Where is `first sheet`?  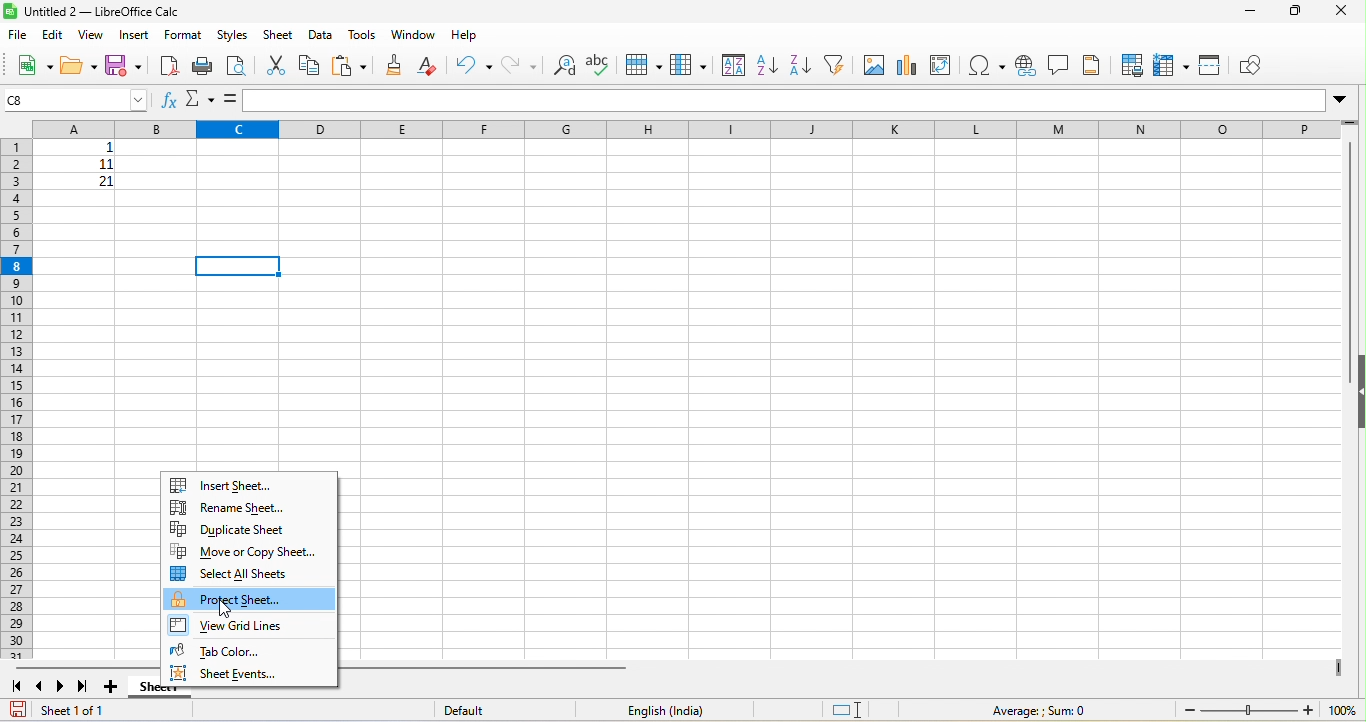 first sheet is located at coordinates (19, 685).